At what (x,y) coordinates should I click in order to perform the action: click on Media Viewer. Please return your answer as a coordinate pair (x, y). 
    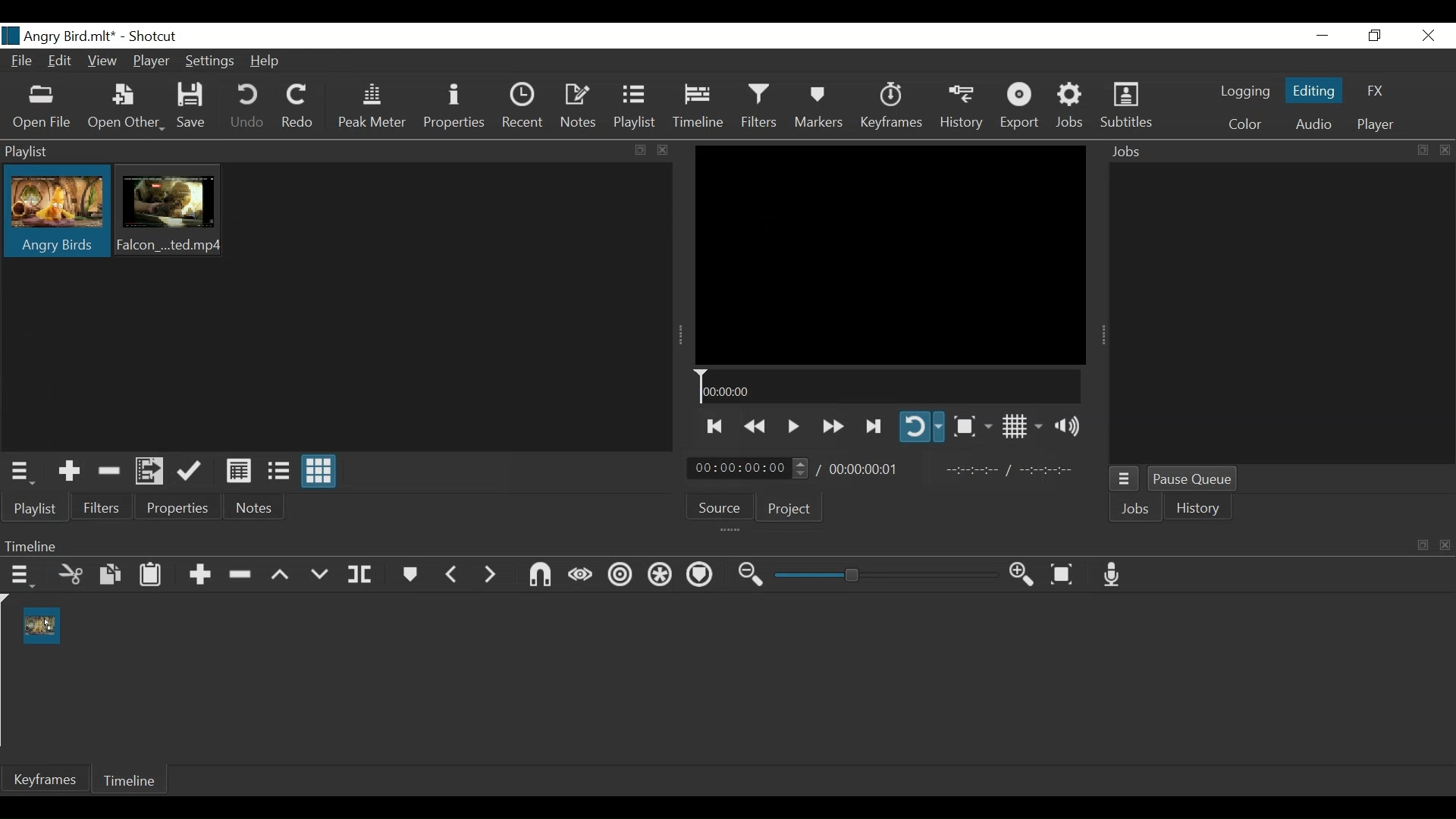
    Looking at the image, I should click on (890, 255).